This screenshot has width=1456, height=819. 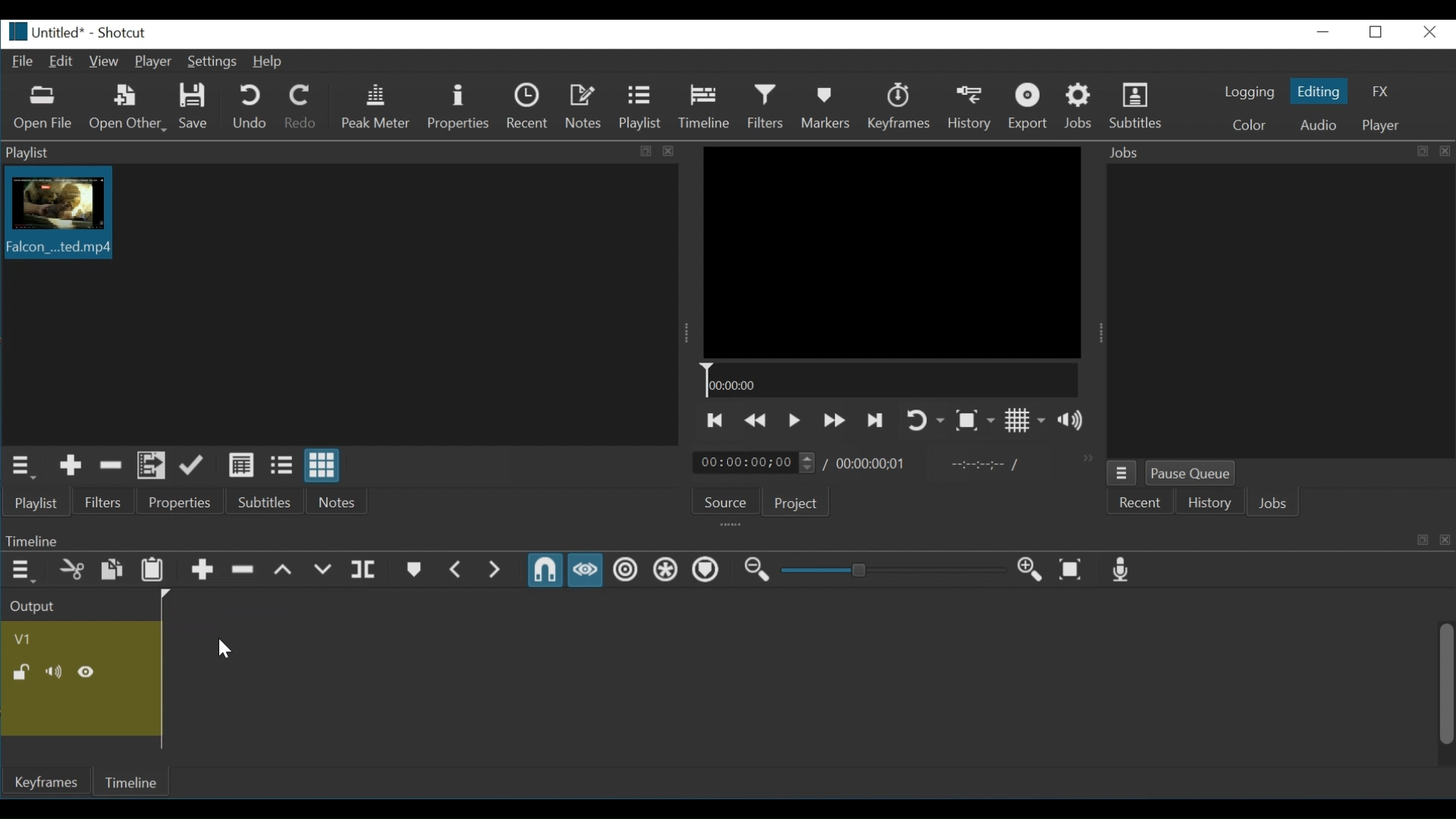 I want to click on View as icon, so click(x=324, y=465).